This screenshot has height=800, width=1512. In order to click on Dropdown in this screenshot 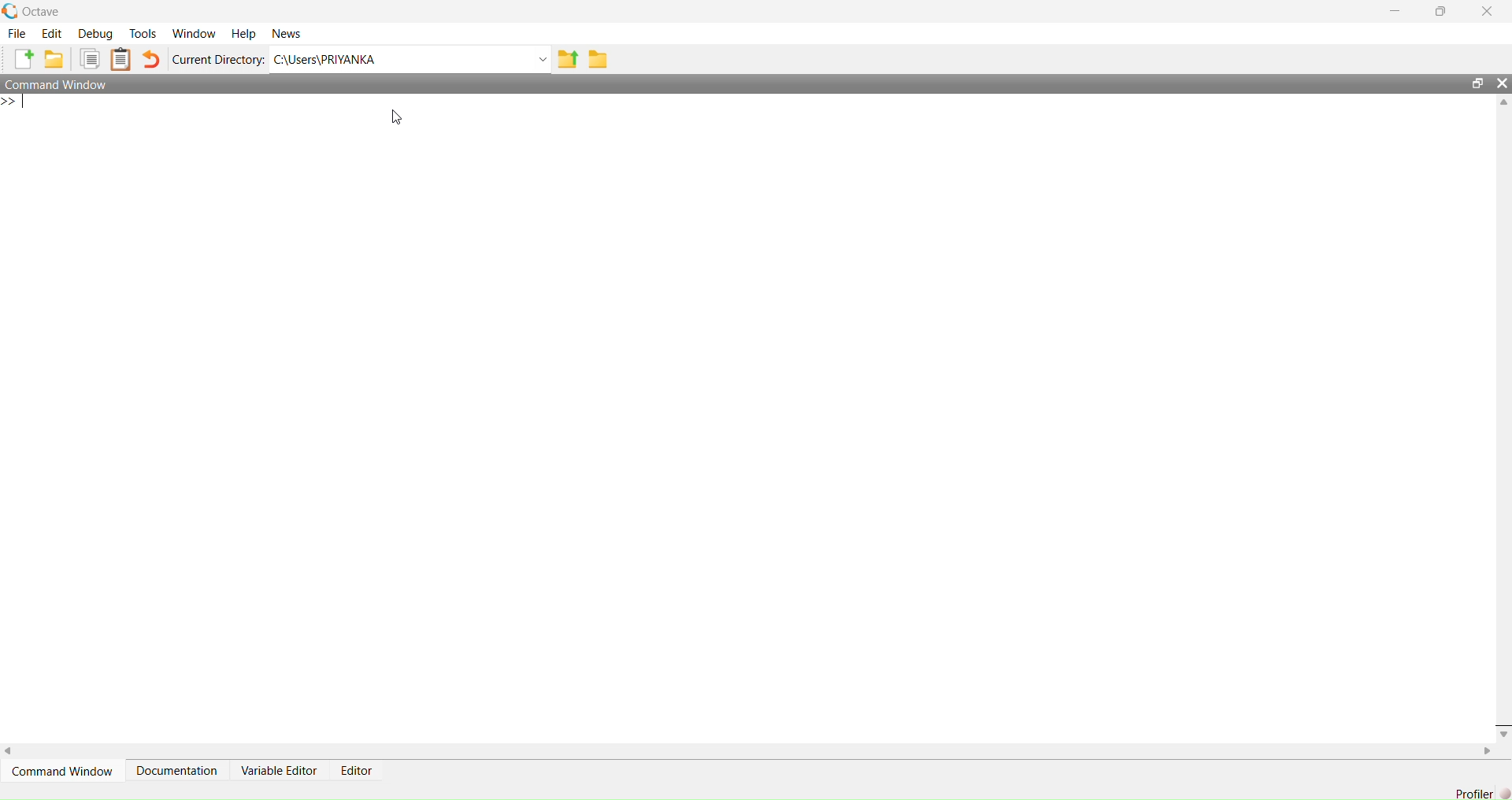, I will do `click(545, 59)`.